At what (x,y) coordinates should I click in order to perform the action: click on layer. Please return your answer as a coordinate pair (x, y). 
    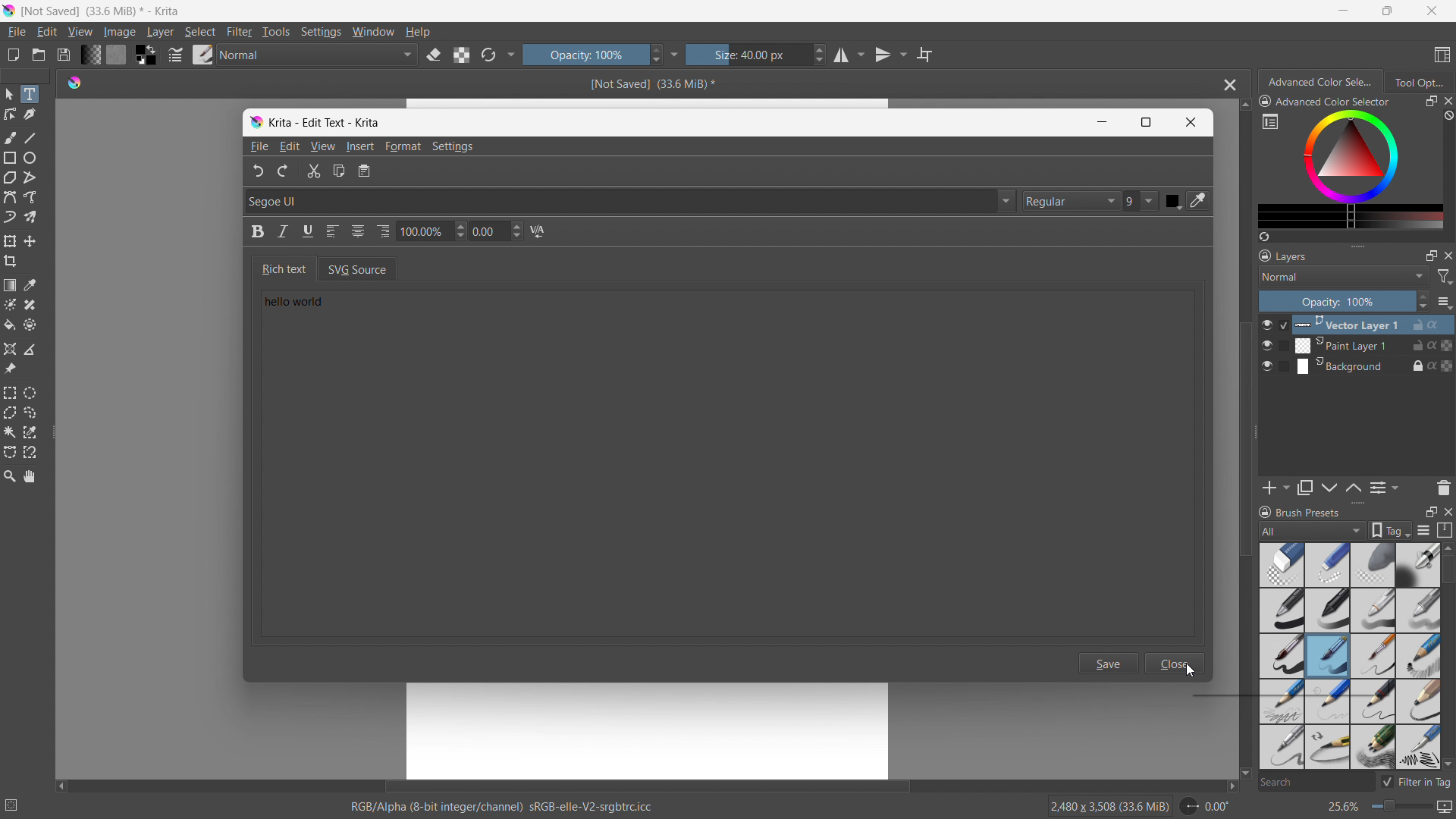
    Looking at the image, I should click on (160, 32).